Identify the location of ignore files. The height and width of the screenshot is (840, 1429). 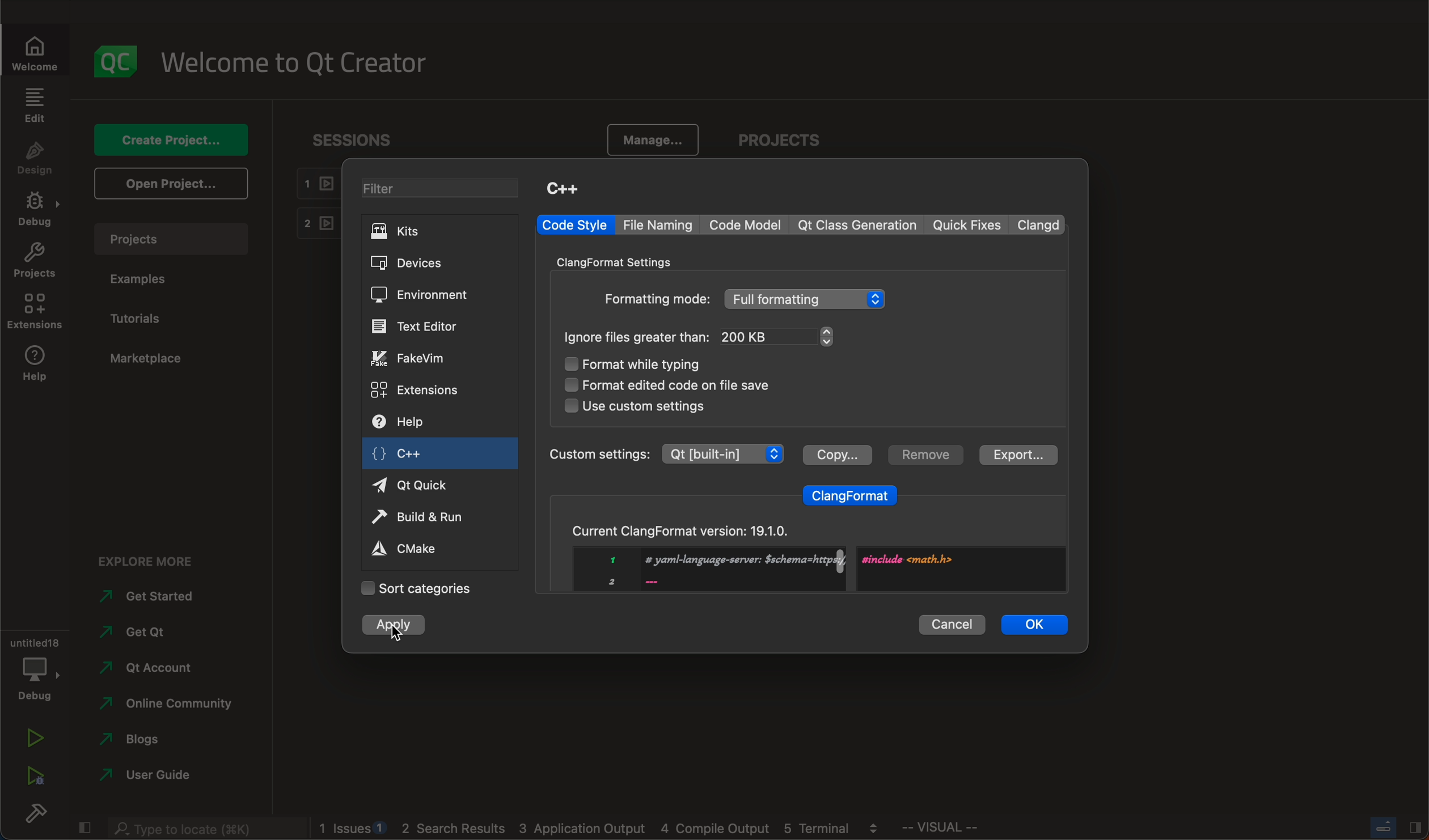
(638, 337).